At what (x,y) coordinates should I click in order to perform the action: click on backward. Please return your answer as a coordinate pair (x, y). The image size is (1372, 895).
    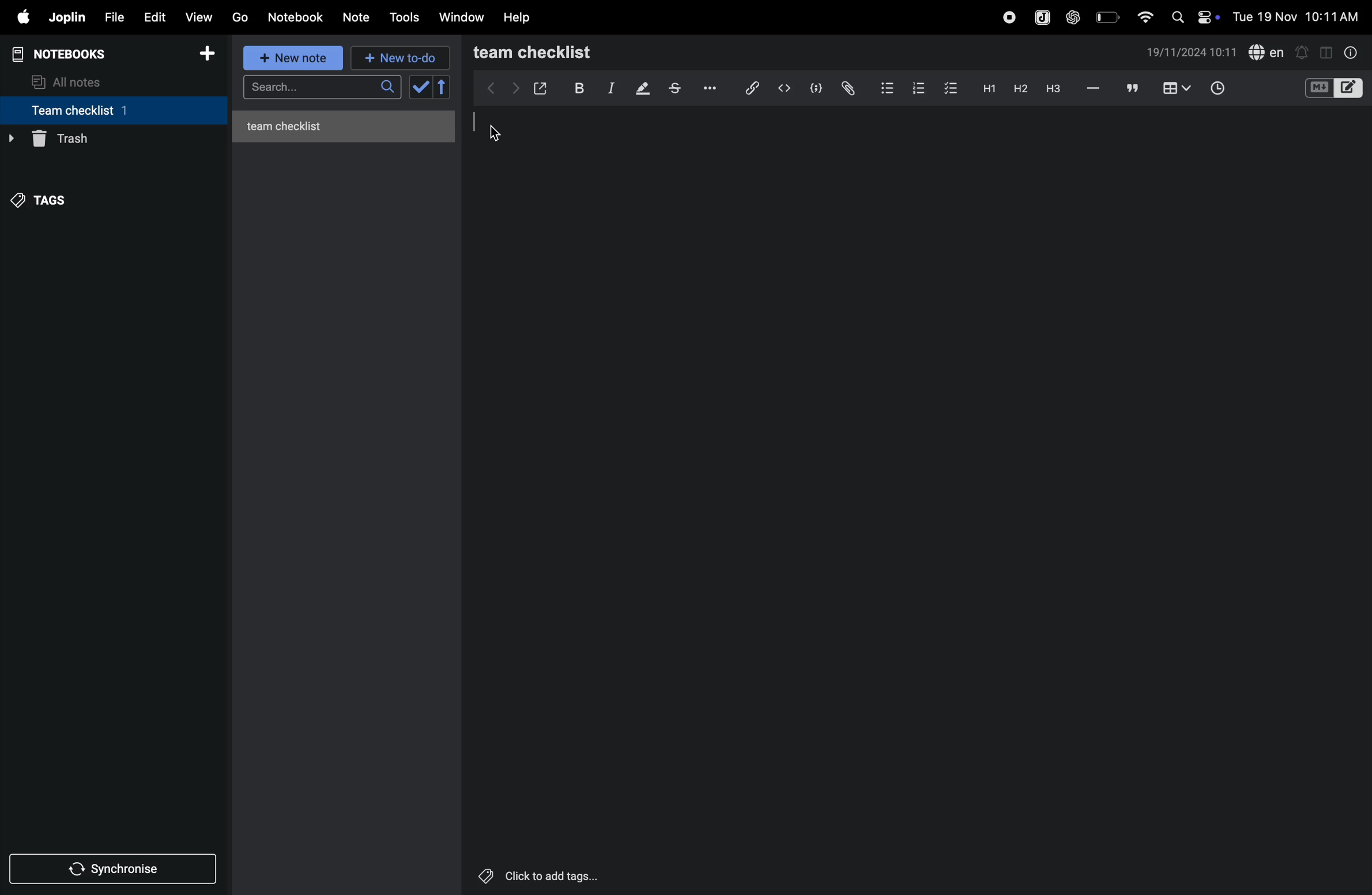
    Looking at the image, I should click on (485, 88).